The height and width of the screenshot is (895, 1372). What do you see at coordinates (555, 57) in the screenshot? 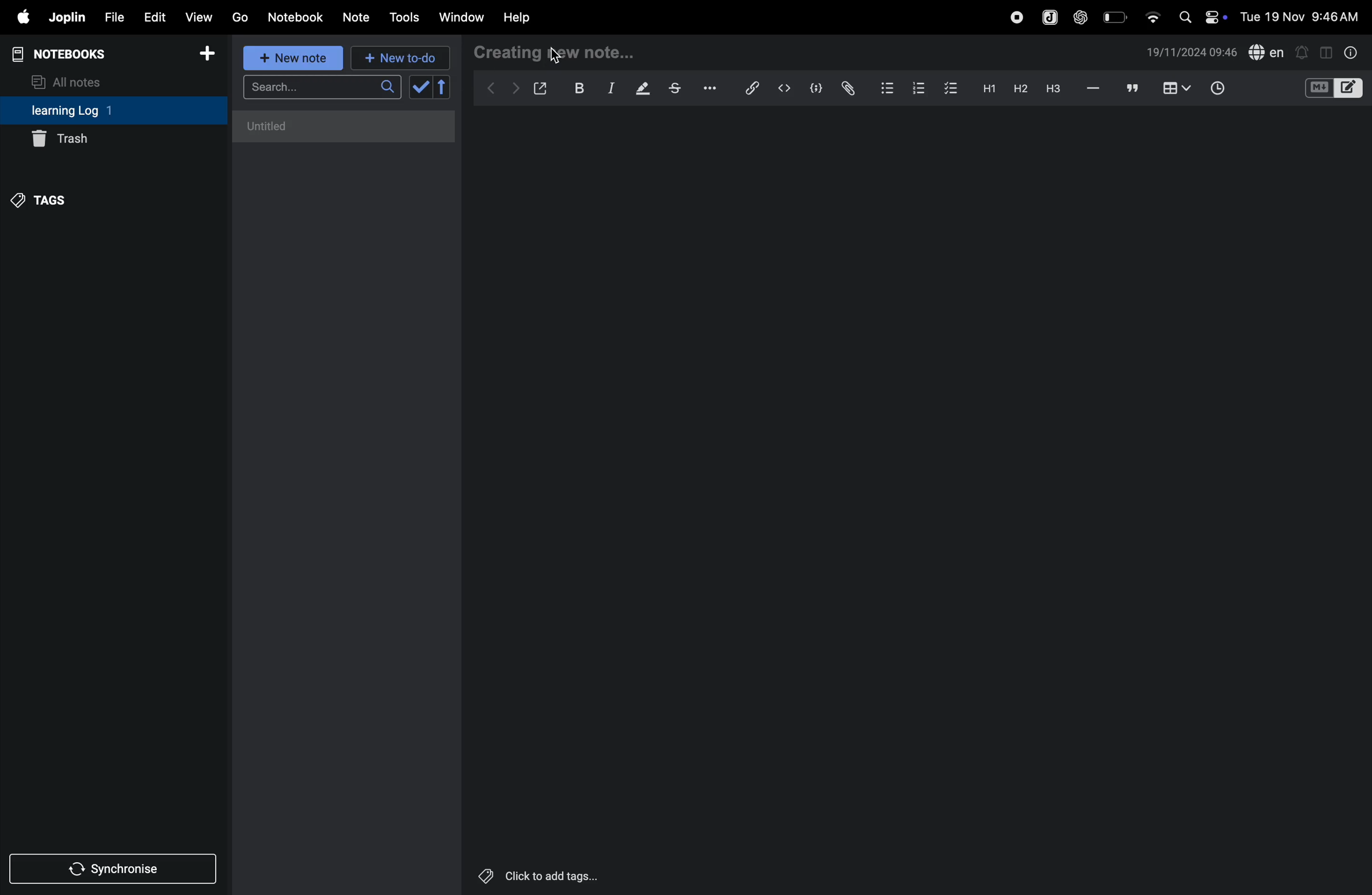
I see `cursor` at bounding box center [555, 57].